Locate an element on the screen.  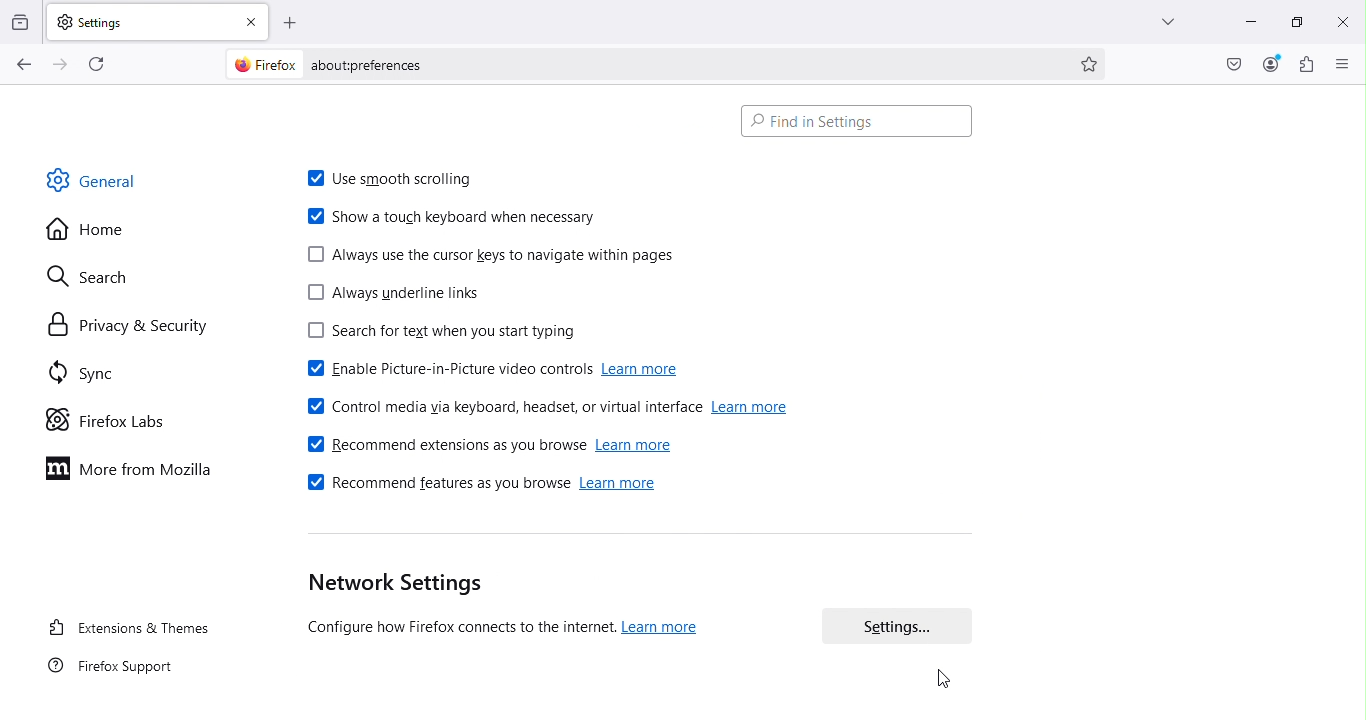
Network settings is located at coordinates (525, 606).